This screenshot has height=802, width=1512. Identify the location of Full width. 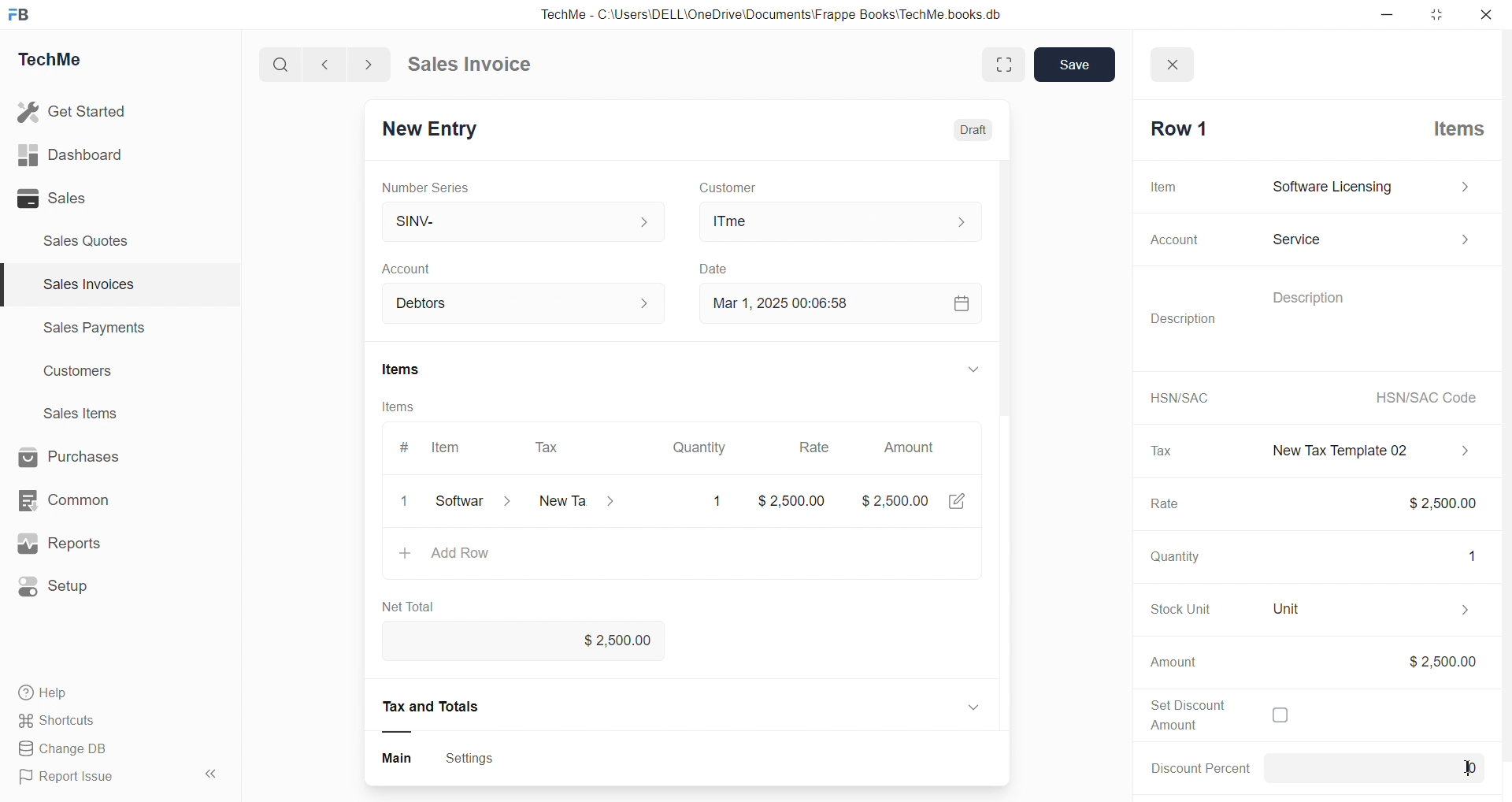
(990, 63).